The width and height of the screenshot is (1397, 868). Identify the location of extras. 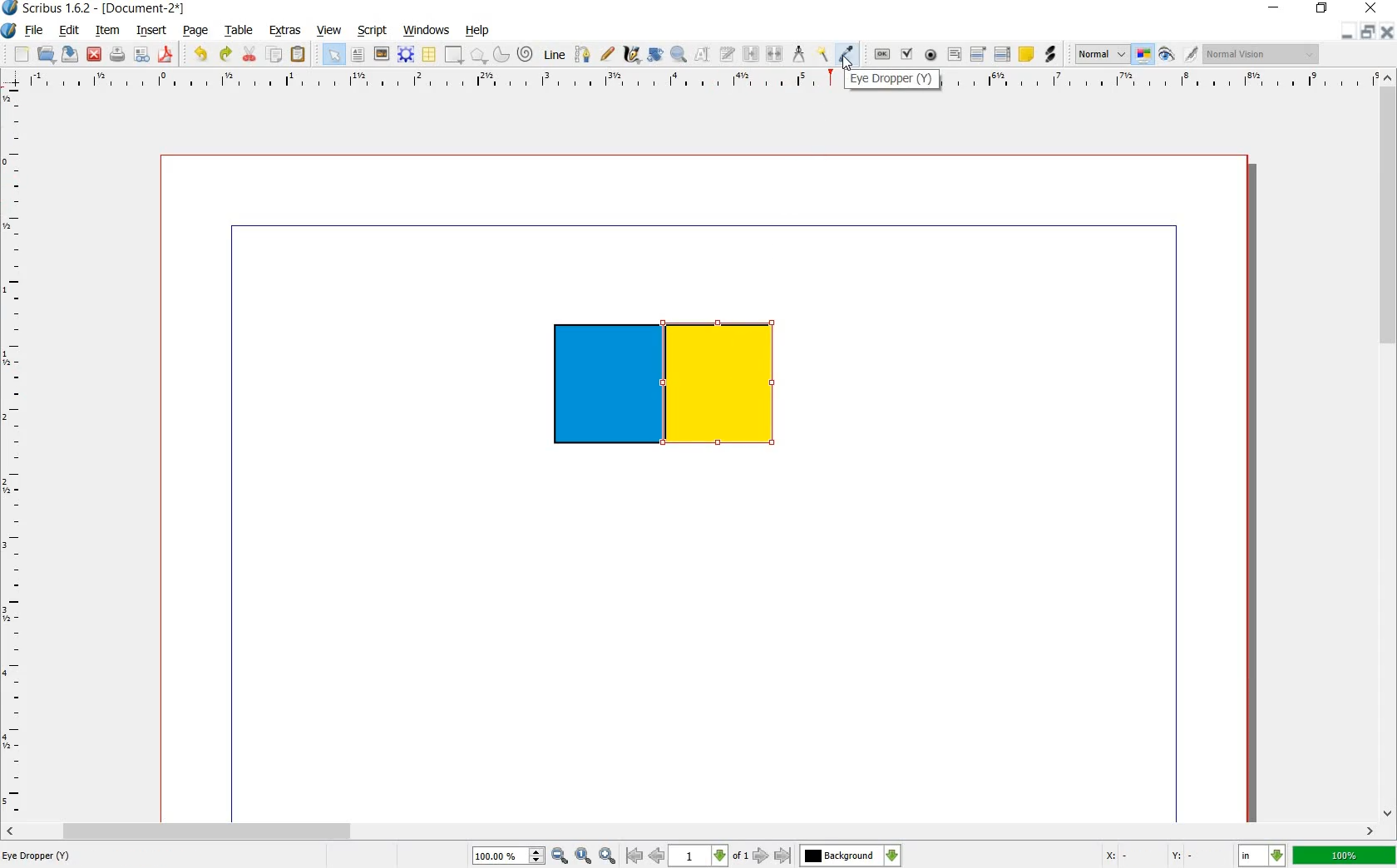
(285, 31).